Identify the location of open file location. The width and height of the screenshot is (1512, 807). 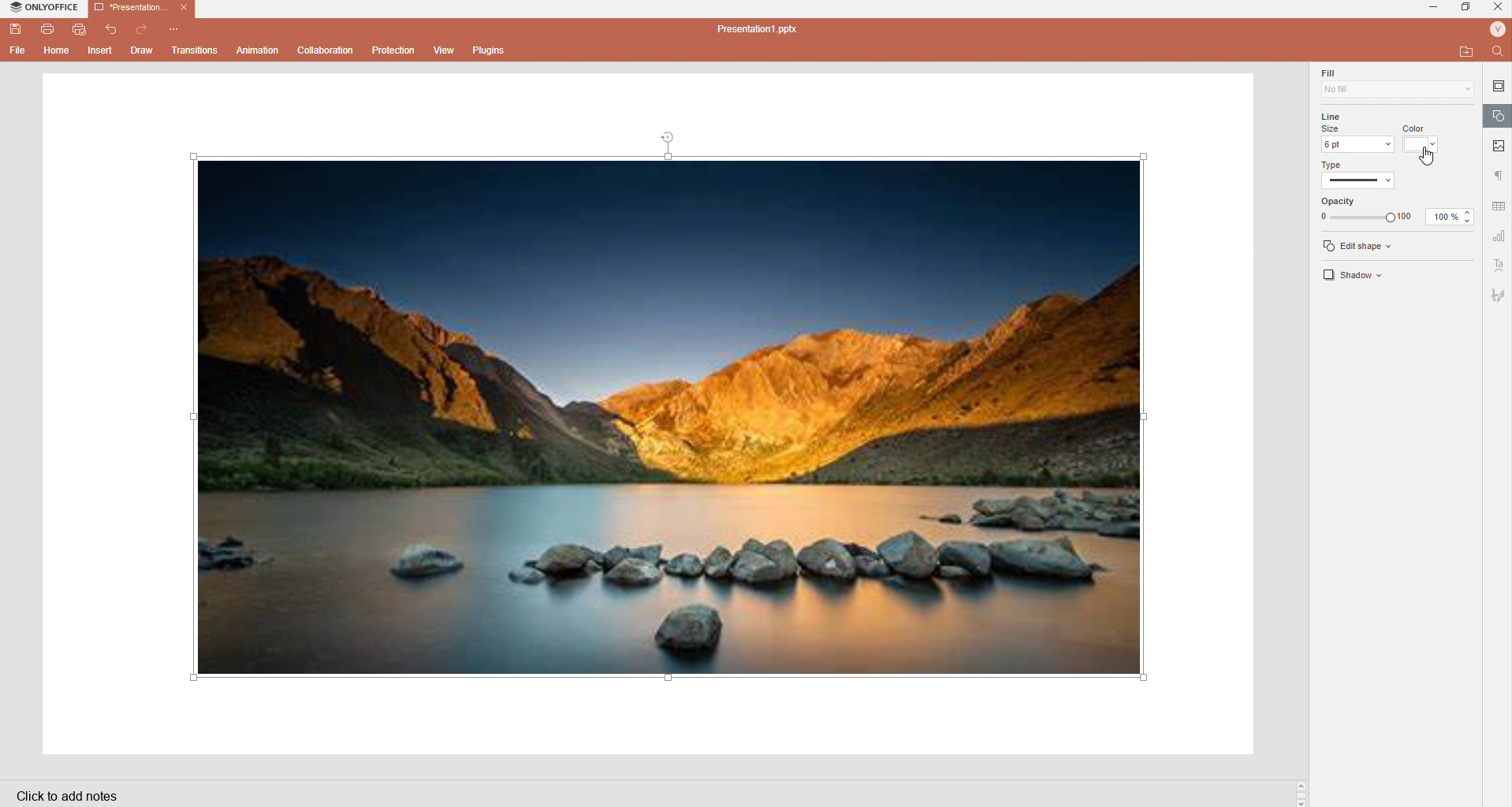
(1465, 51).